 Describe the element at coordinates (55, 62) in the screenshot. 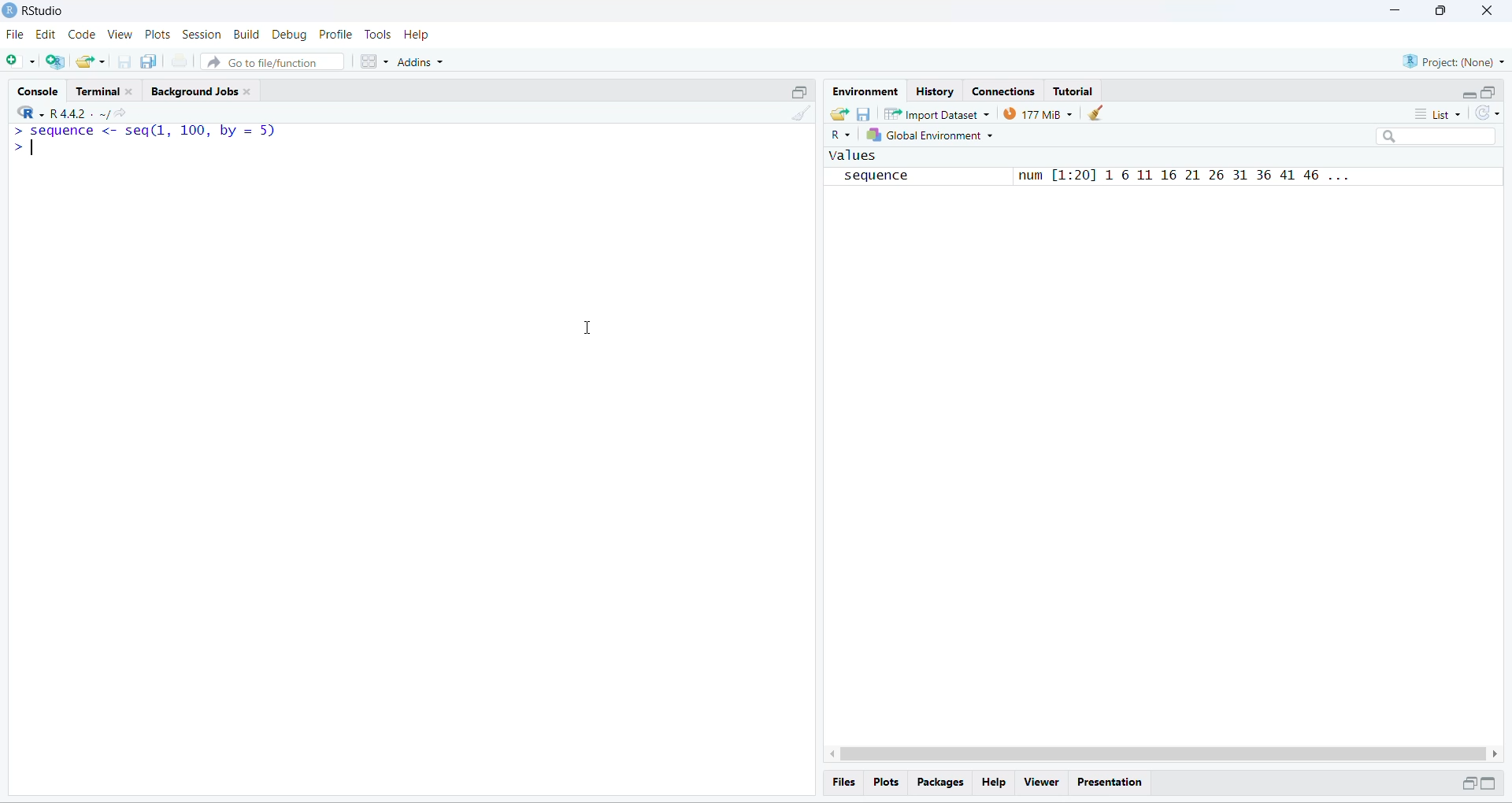

I see `add R file` at that location.